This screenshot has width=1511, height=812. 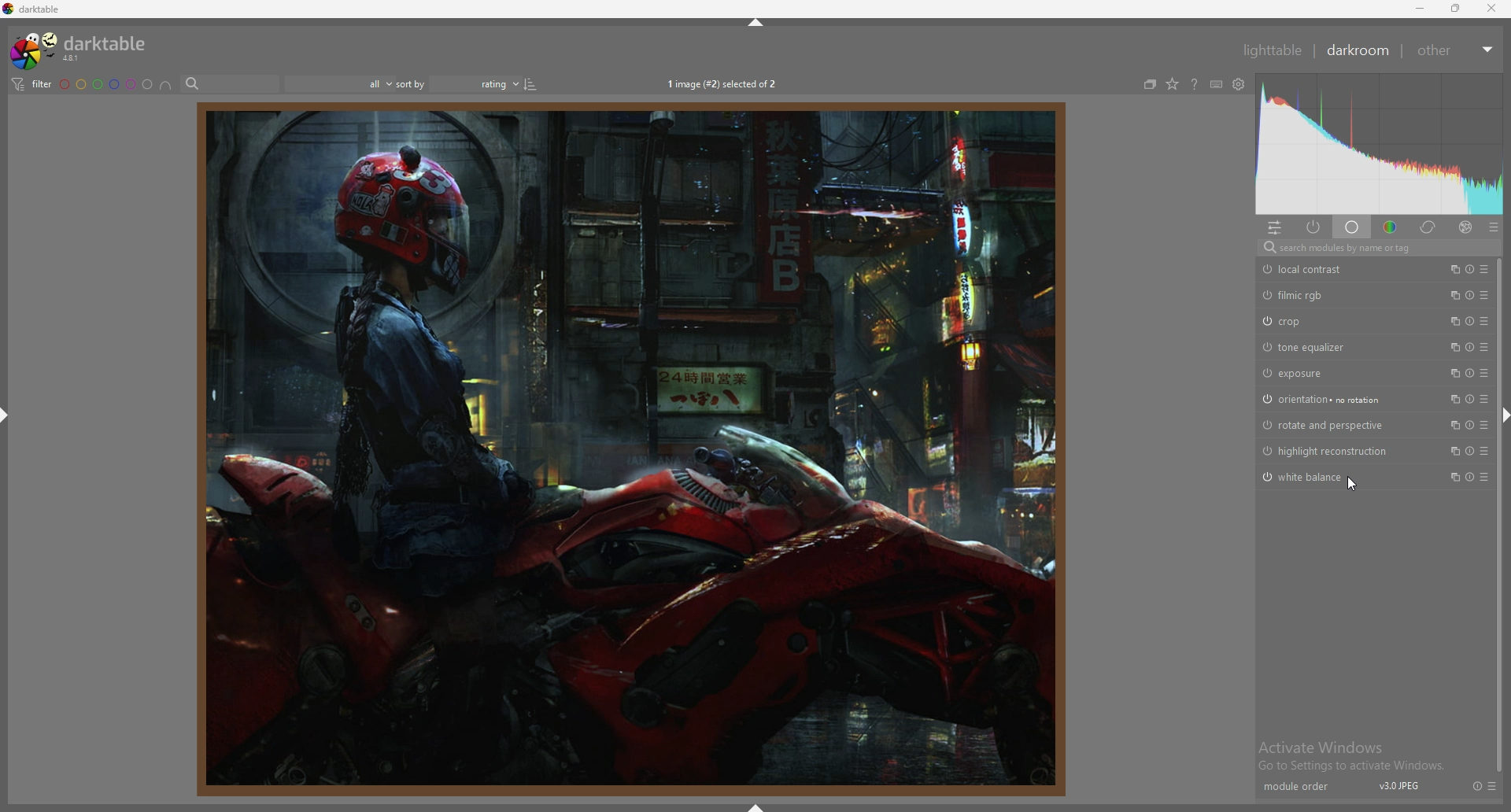 I want to click on presets, so click(x=1484, y=399).